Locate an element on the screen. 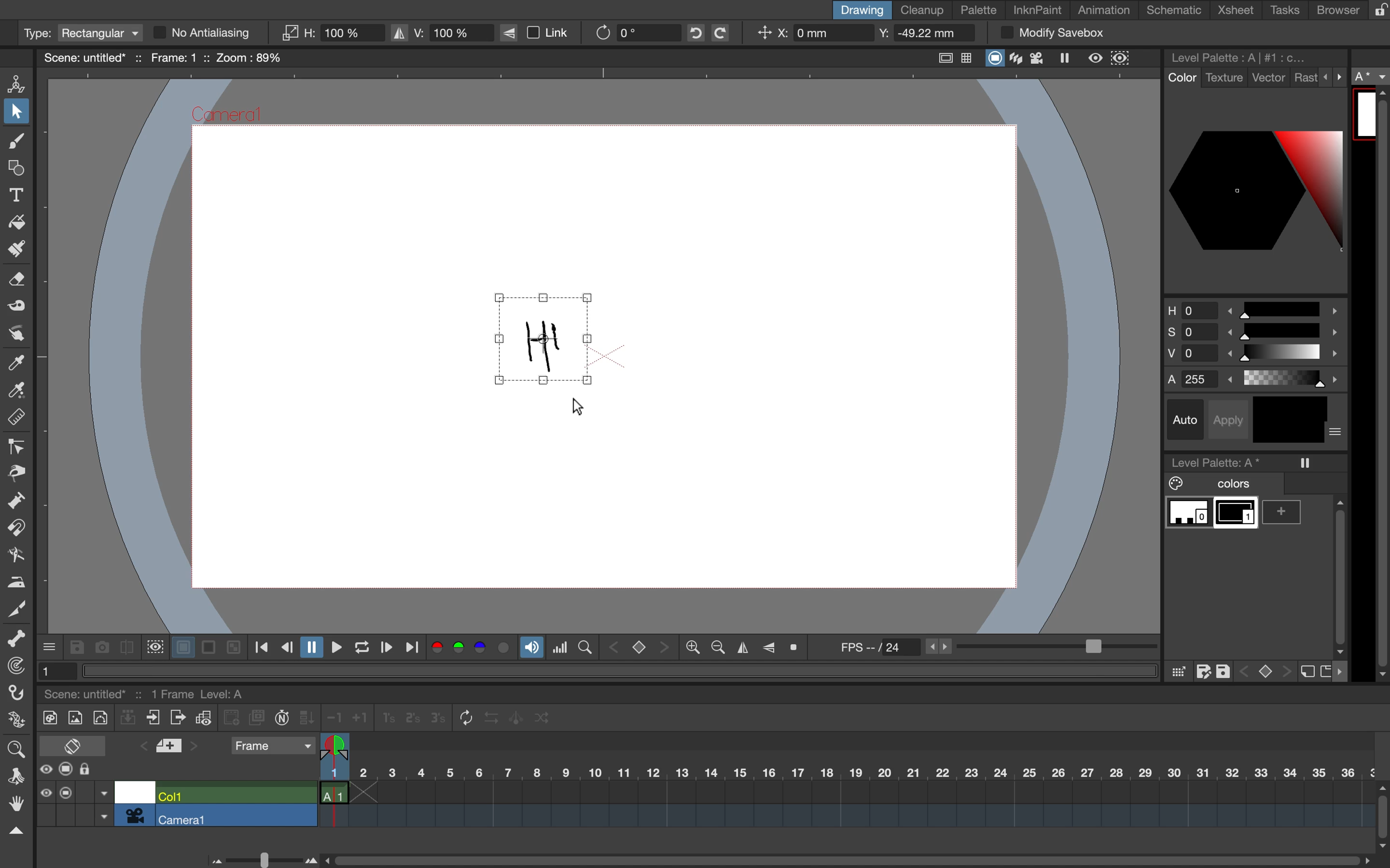  toggle between options is located at coordinates (104, 806).